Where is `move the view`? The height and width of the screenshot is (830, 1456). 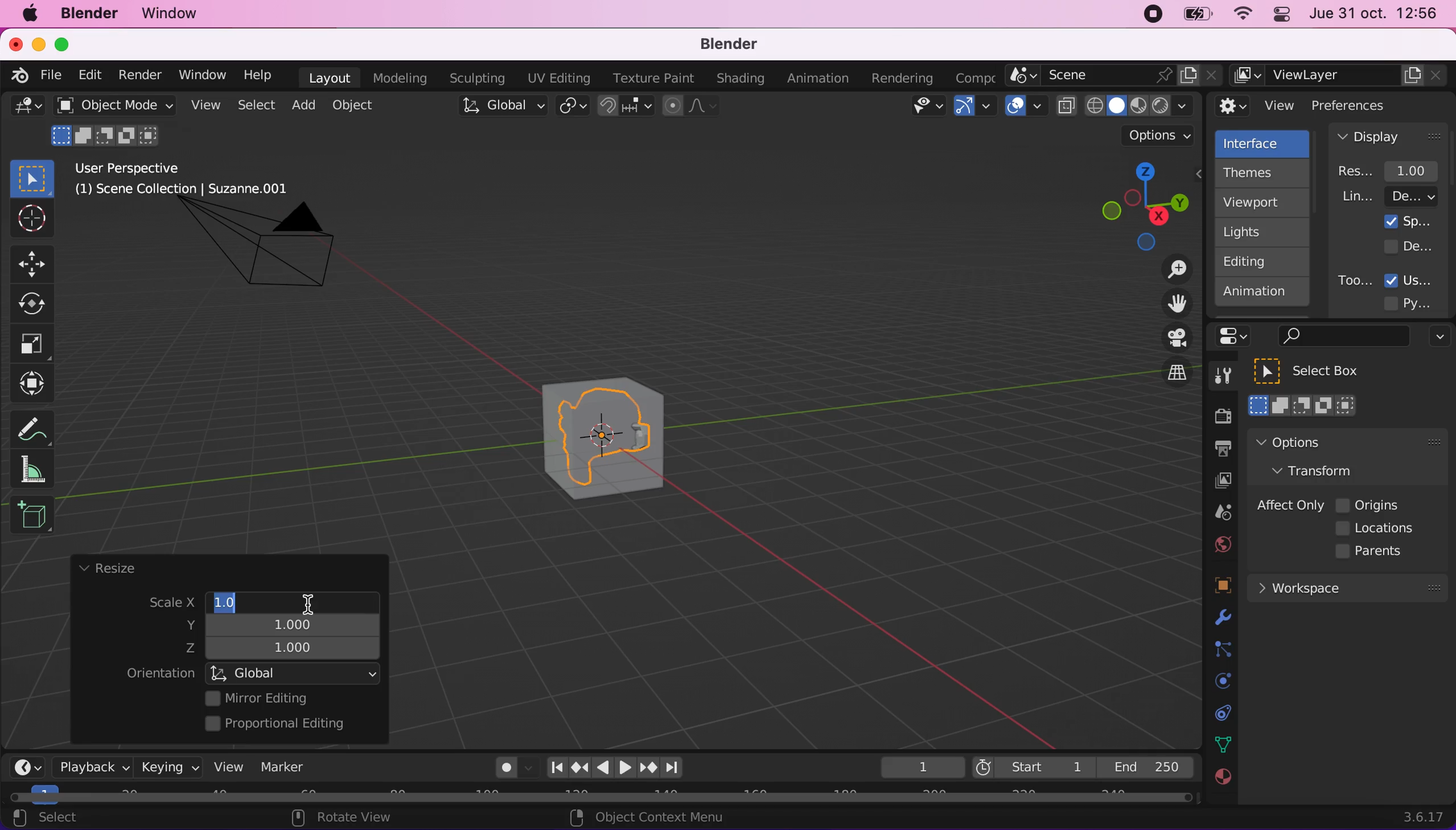
move the view is located at coordinates (1168, 304).